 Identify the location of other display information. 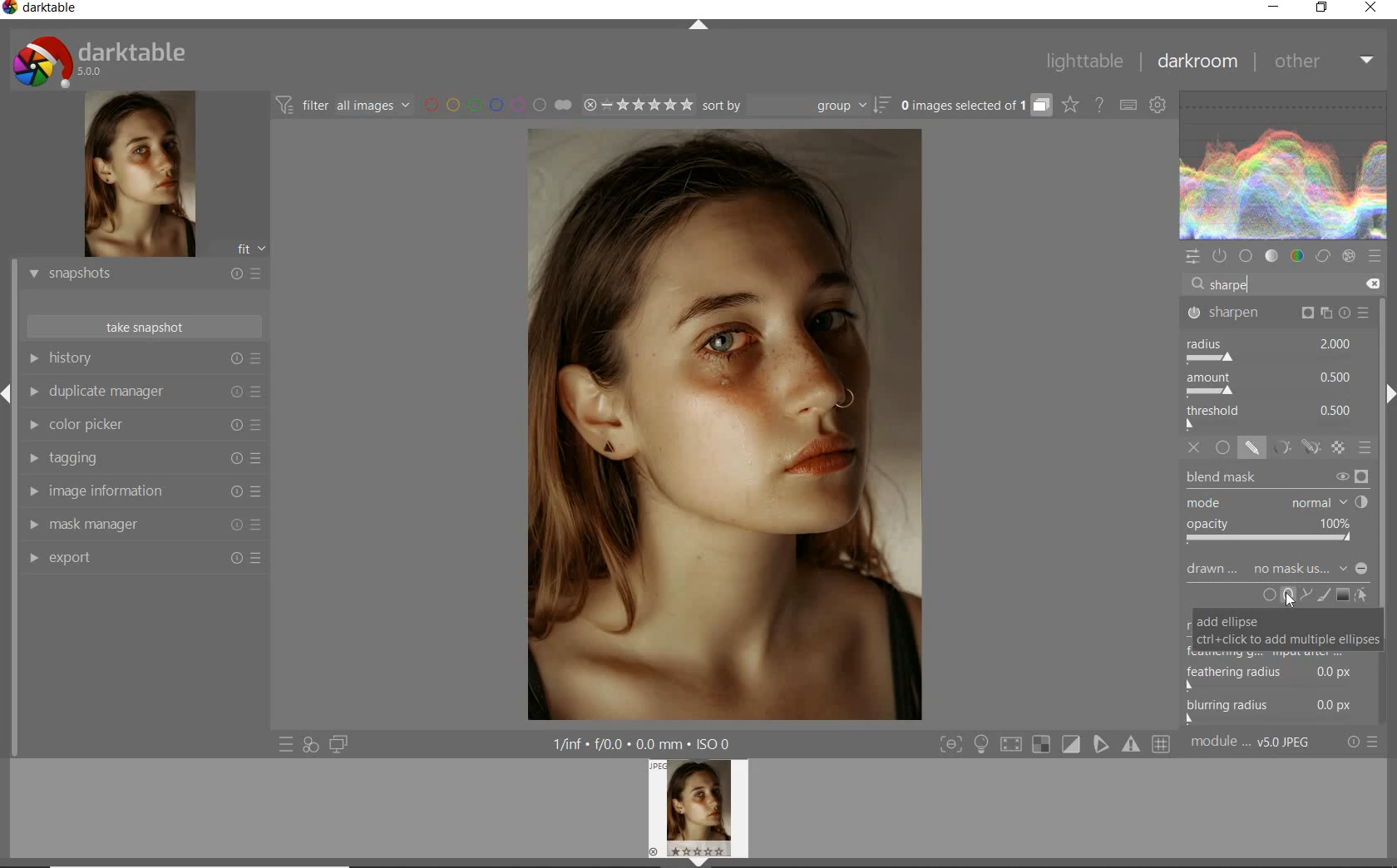
(645, 744).